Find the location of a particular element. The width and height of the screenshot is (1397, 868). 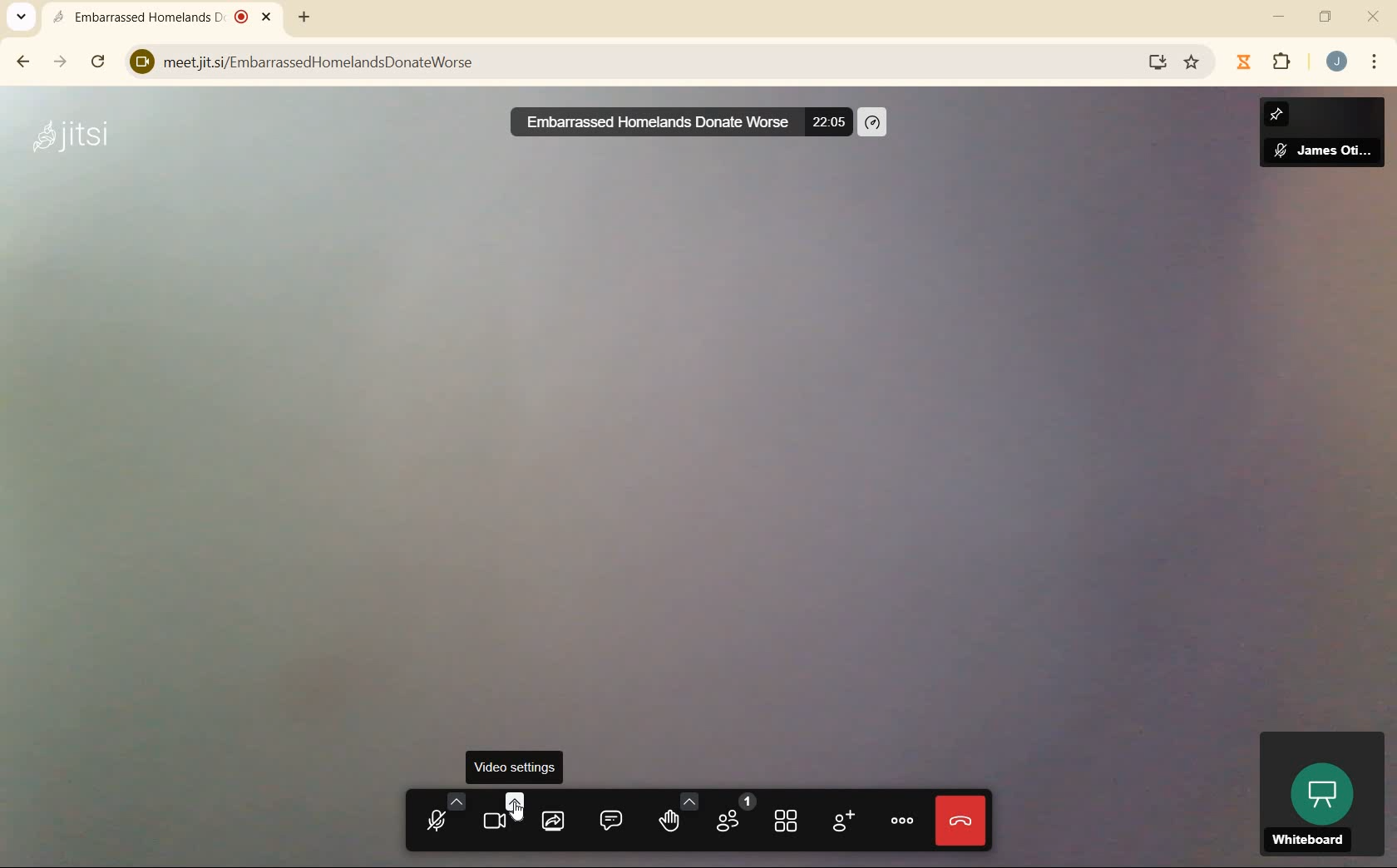

microphone is located at coordinates (438, 811).